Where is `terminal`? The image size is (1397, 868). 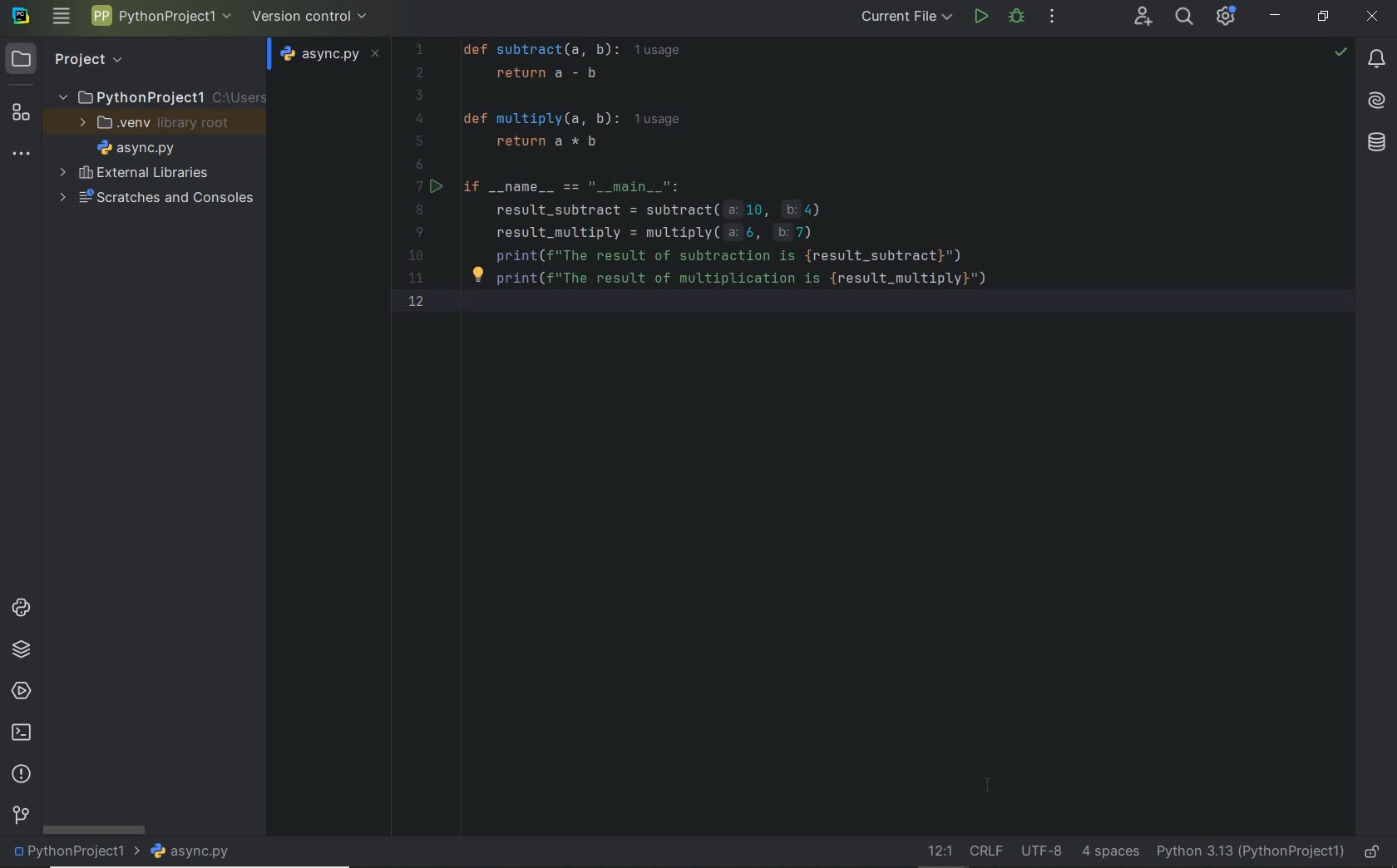 terminal is located at coordinates (20, 733).